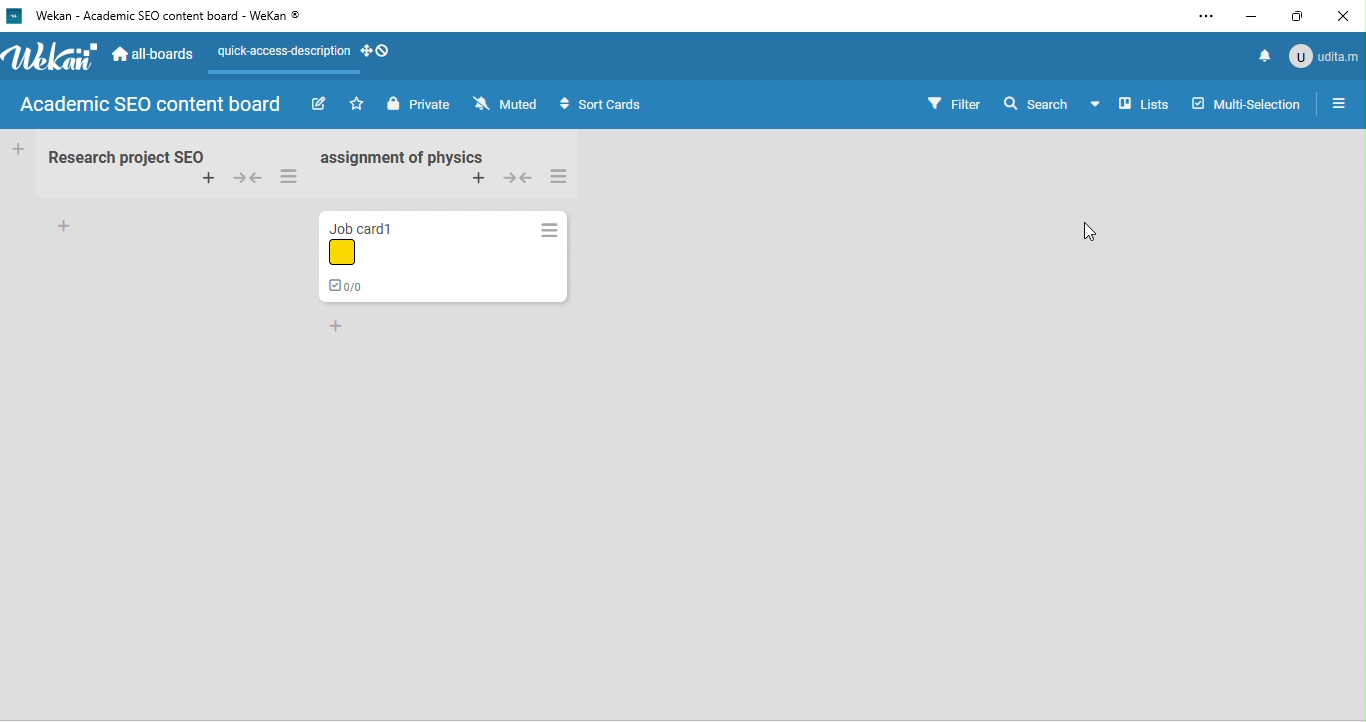  Describe the element at coordinates (946, 104) in the screenshot. I see `filter` at that location.